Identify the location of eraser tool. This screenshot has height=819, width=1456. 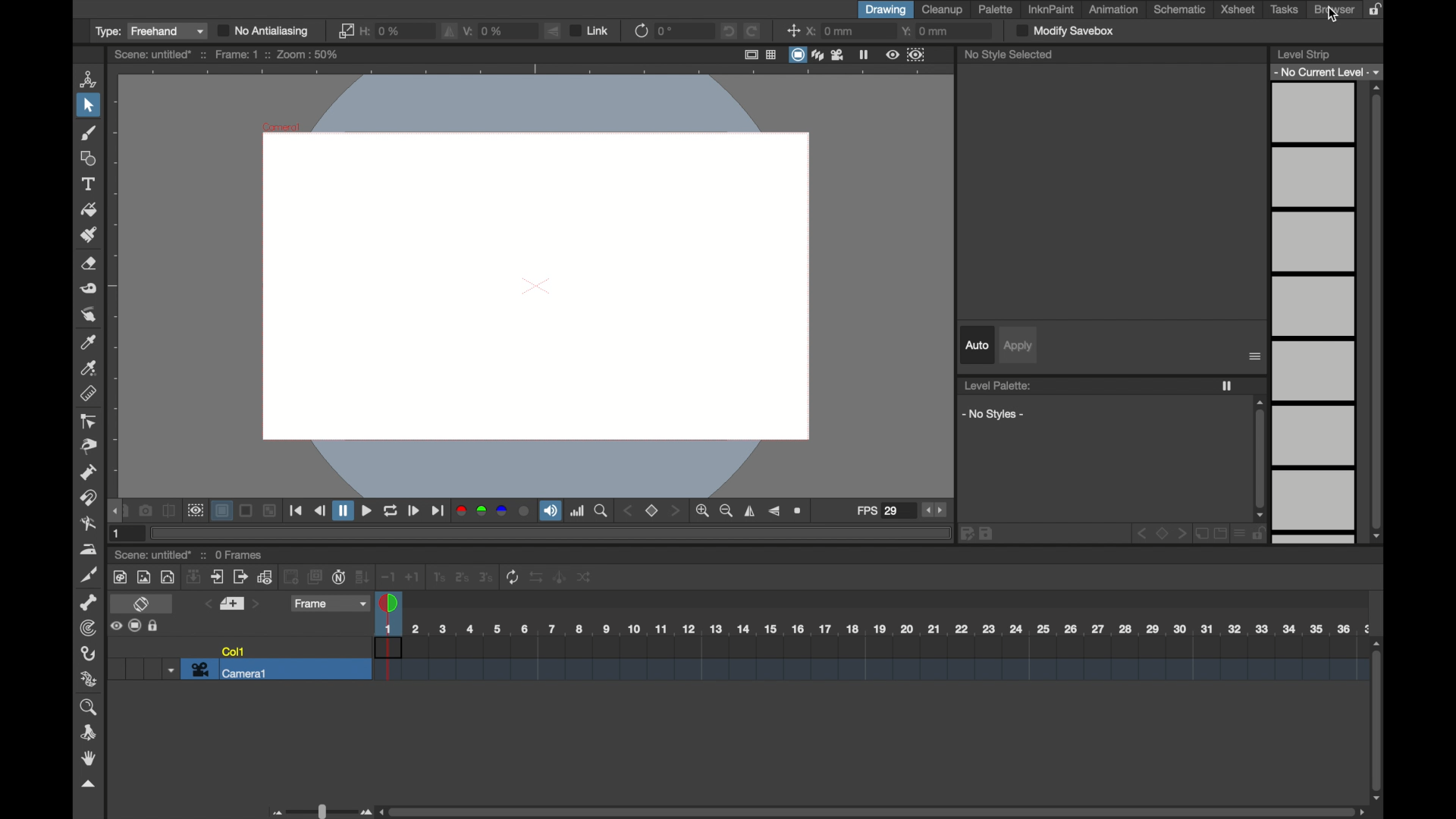
(90, 263).